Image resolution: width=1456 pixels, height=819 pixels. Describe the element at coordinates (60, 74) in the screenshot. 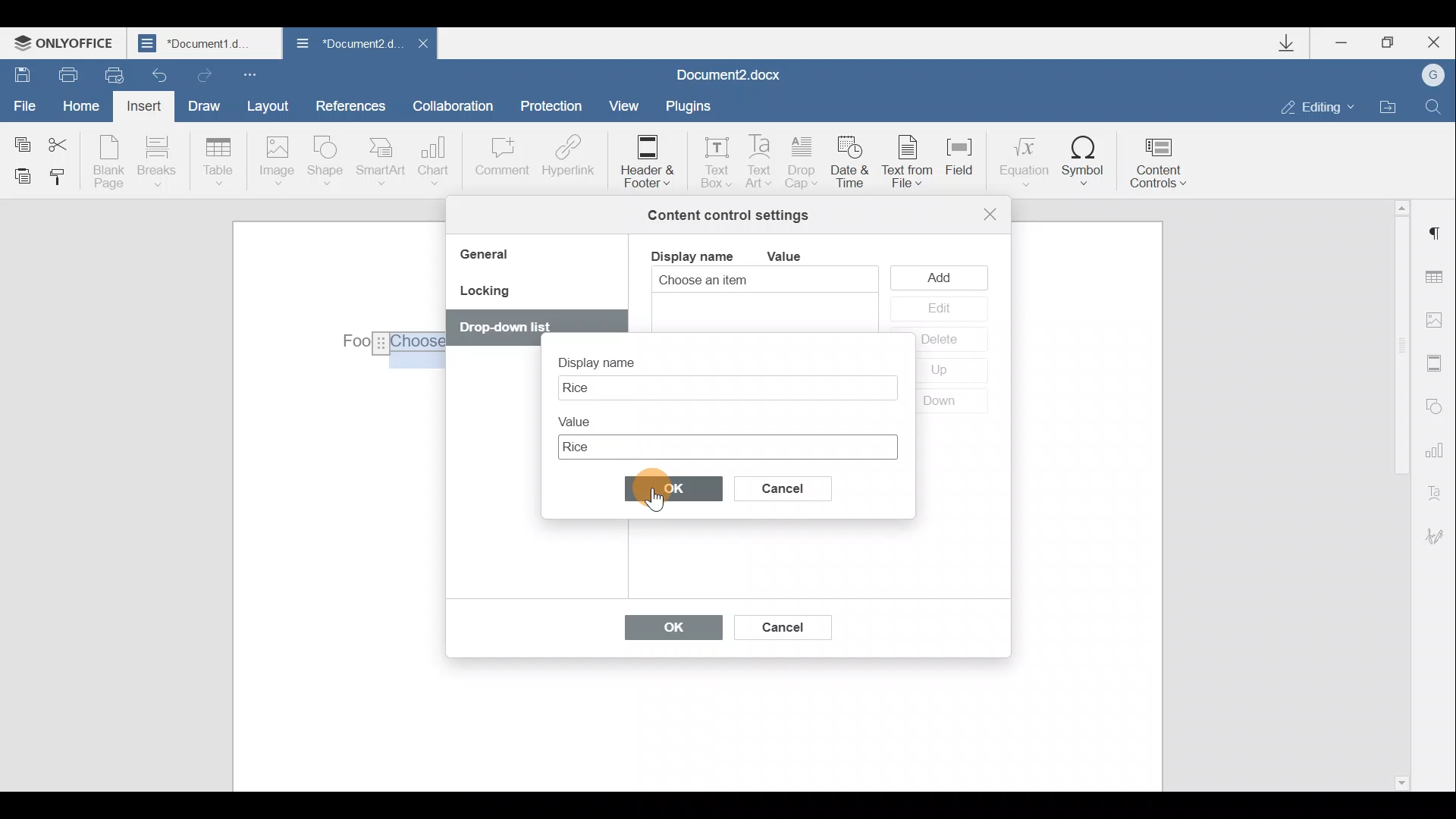

I see `Print file` at that location.